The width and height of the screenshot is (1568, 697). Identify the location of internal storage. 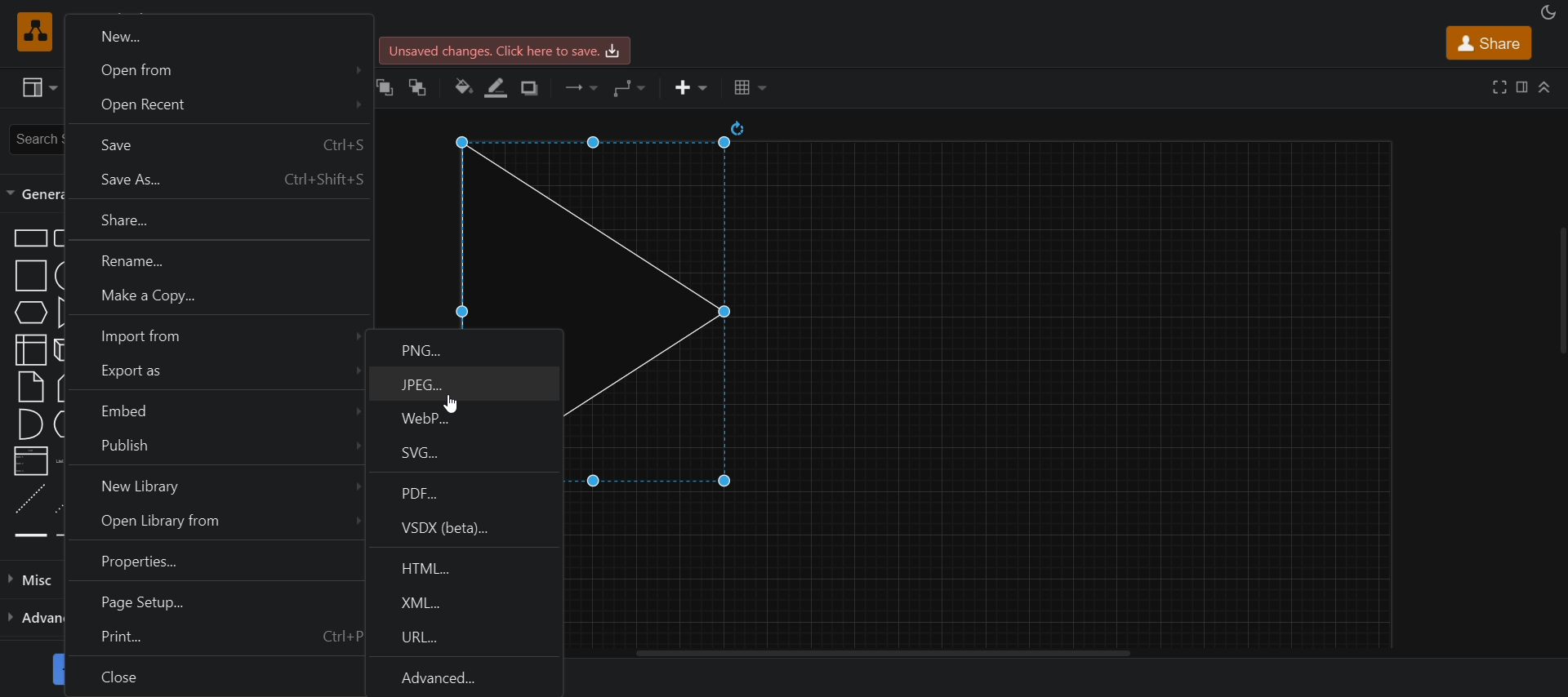
(30, 351).